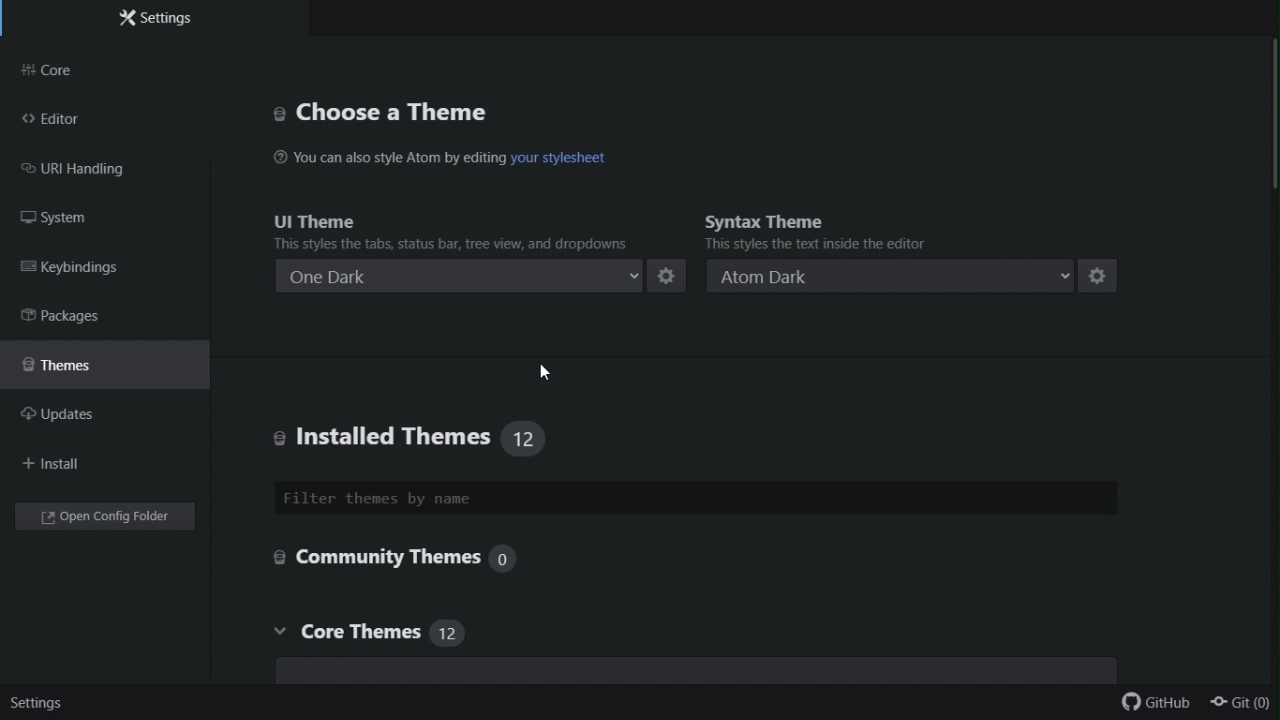  What do you see at coordinates (107, 519) in the screenshot?
I see `Open config folder` at bounding box center [107, 519].